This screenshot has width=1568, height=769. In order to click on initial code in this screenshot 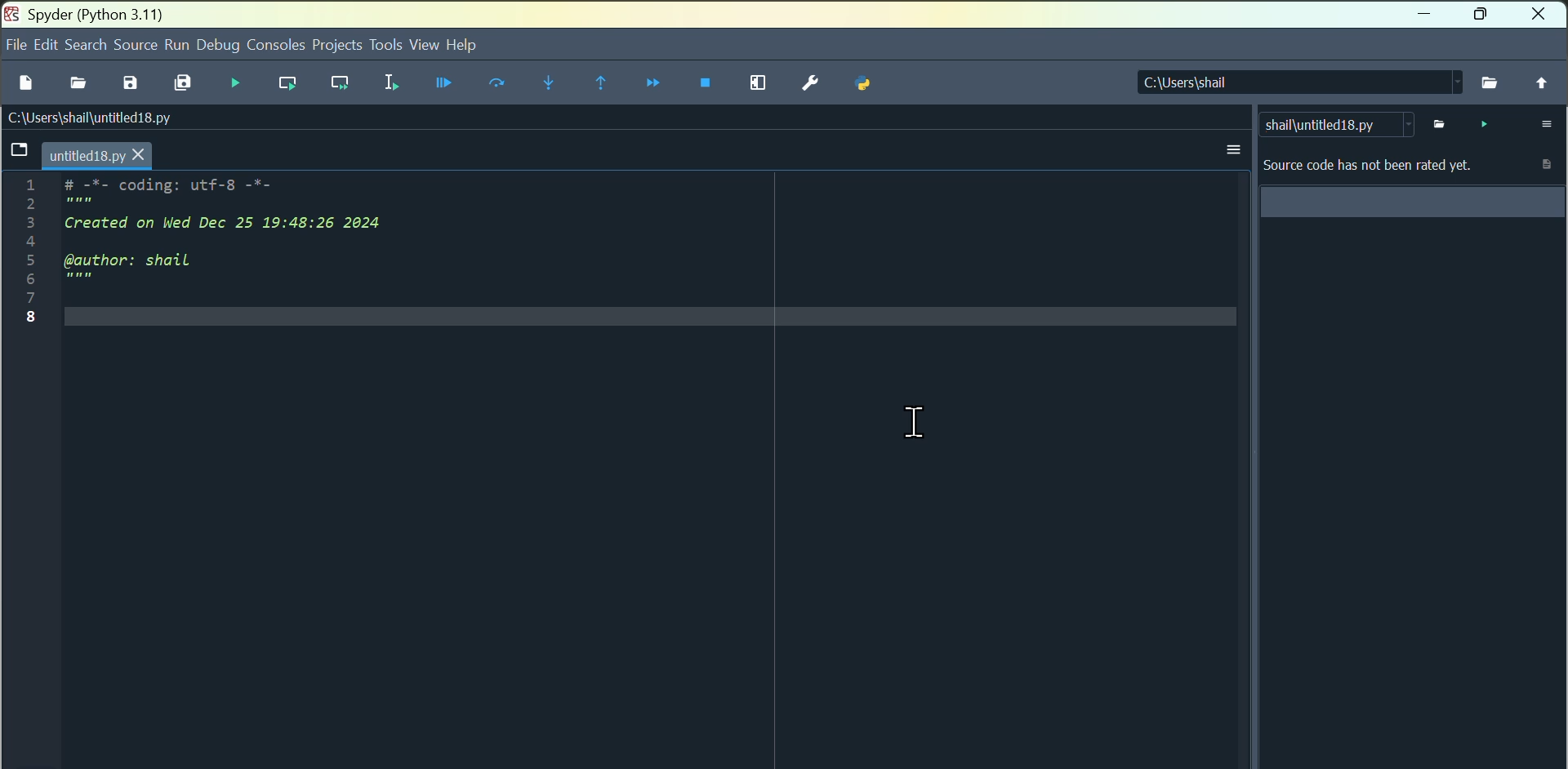, I will do `click(216, 253)`.